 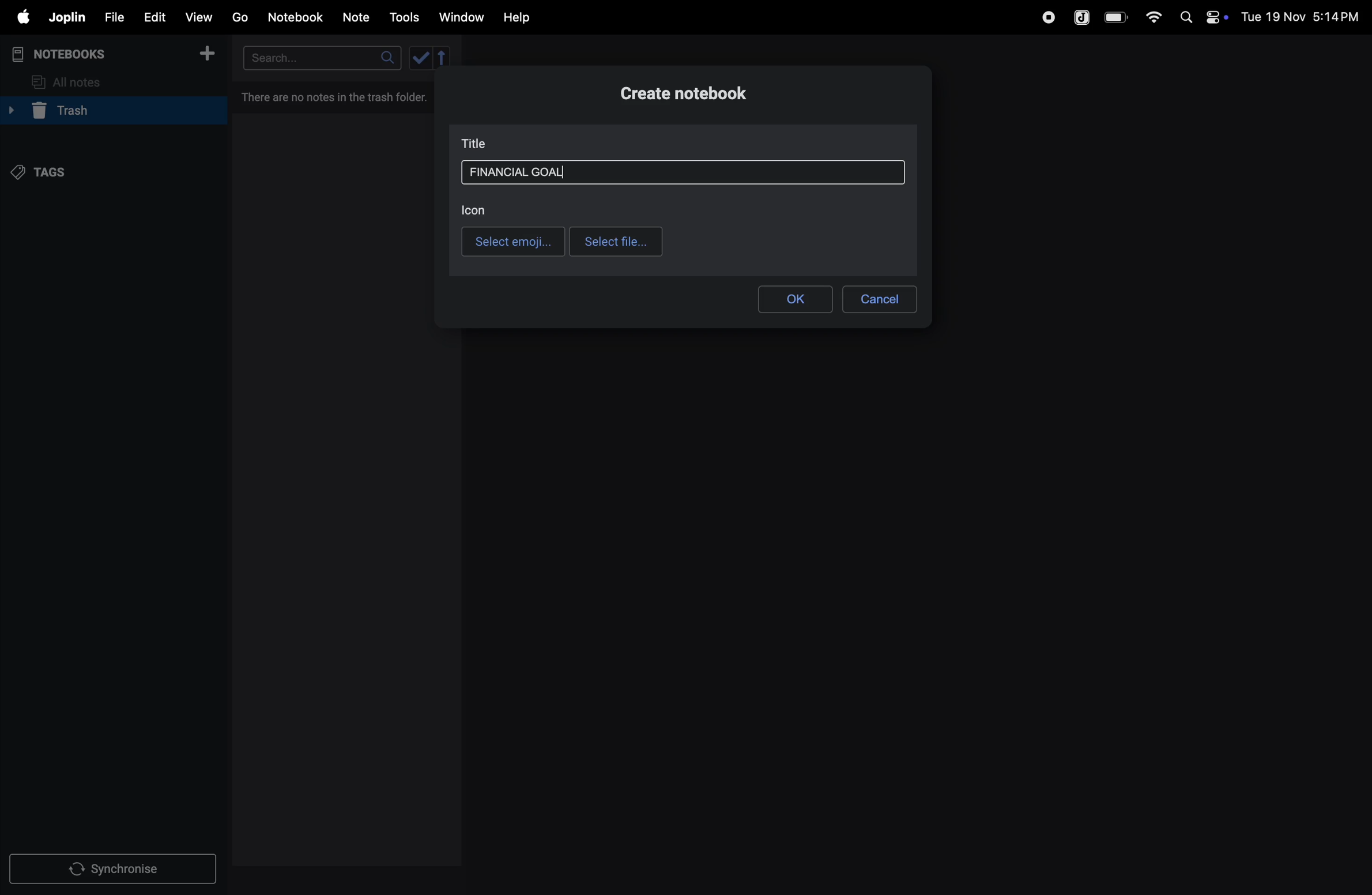 What do you see at coordinates (443, 59) in the screenshot?
I see `reverse sort order` at bounding box center [443, 59].